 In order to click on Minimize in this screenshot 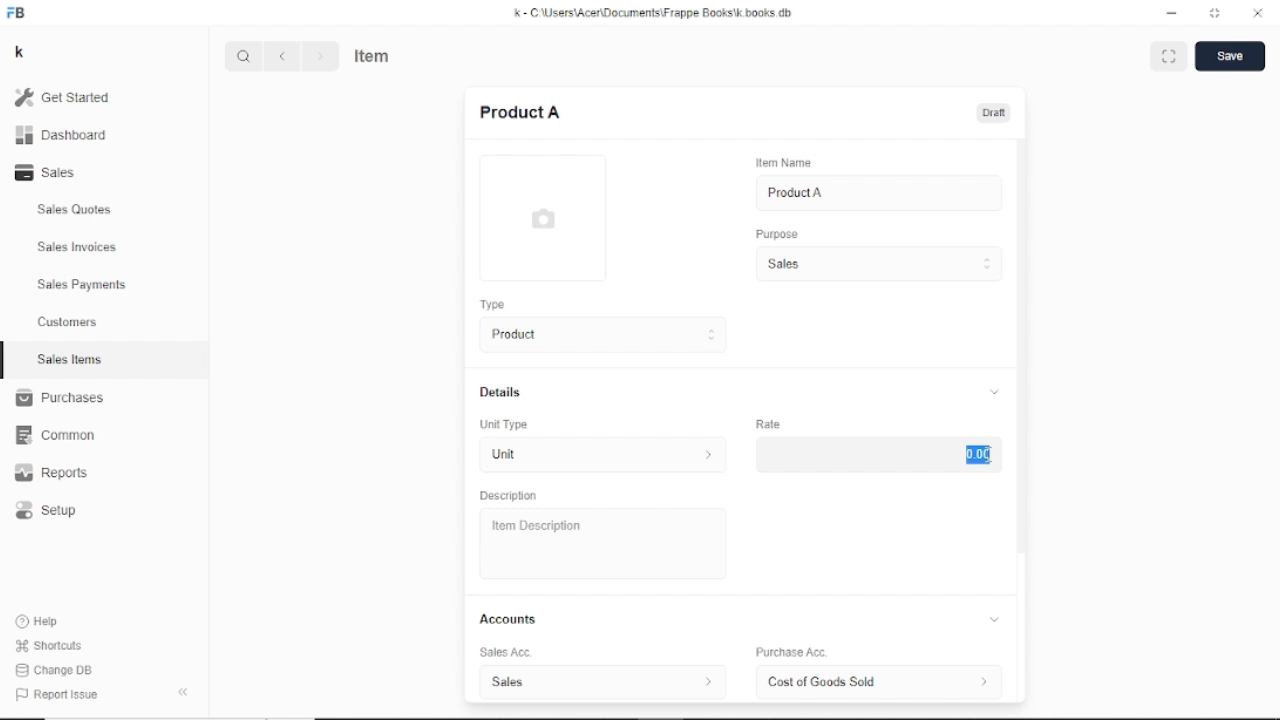, I will do `click(1173, 14)`.